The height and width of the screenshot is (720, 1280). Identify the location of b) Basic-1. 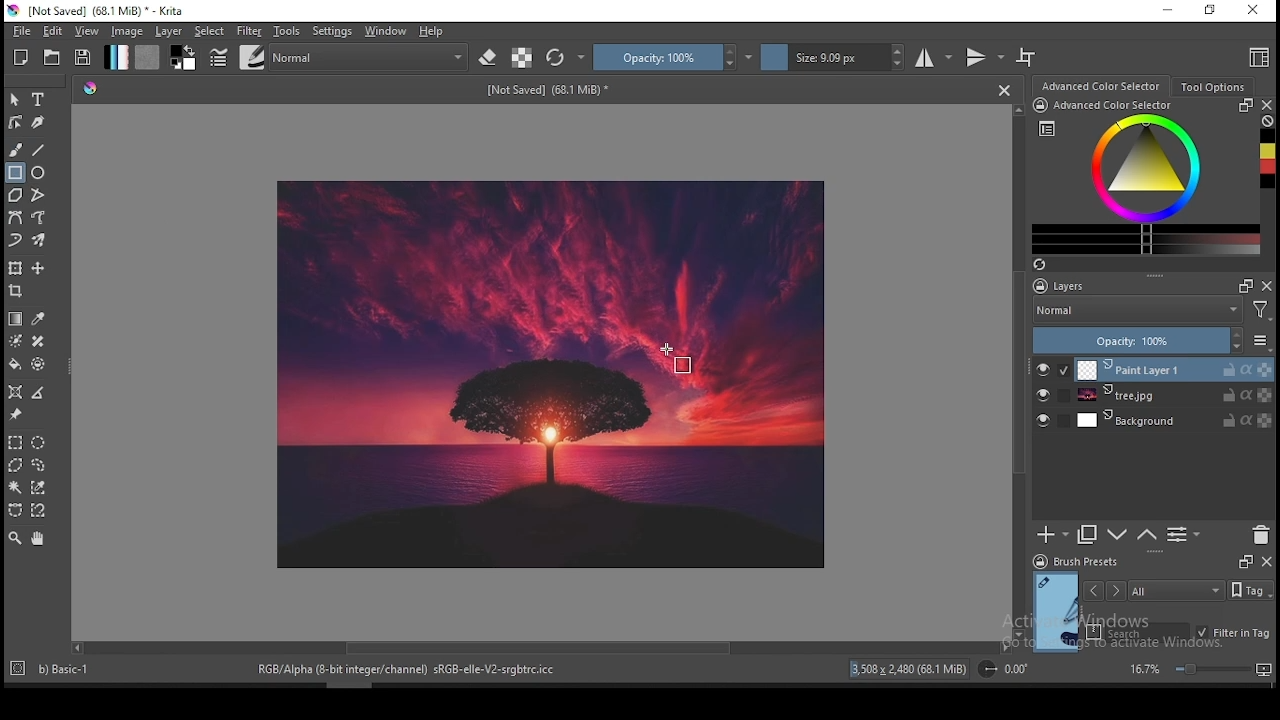
(55, 666).